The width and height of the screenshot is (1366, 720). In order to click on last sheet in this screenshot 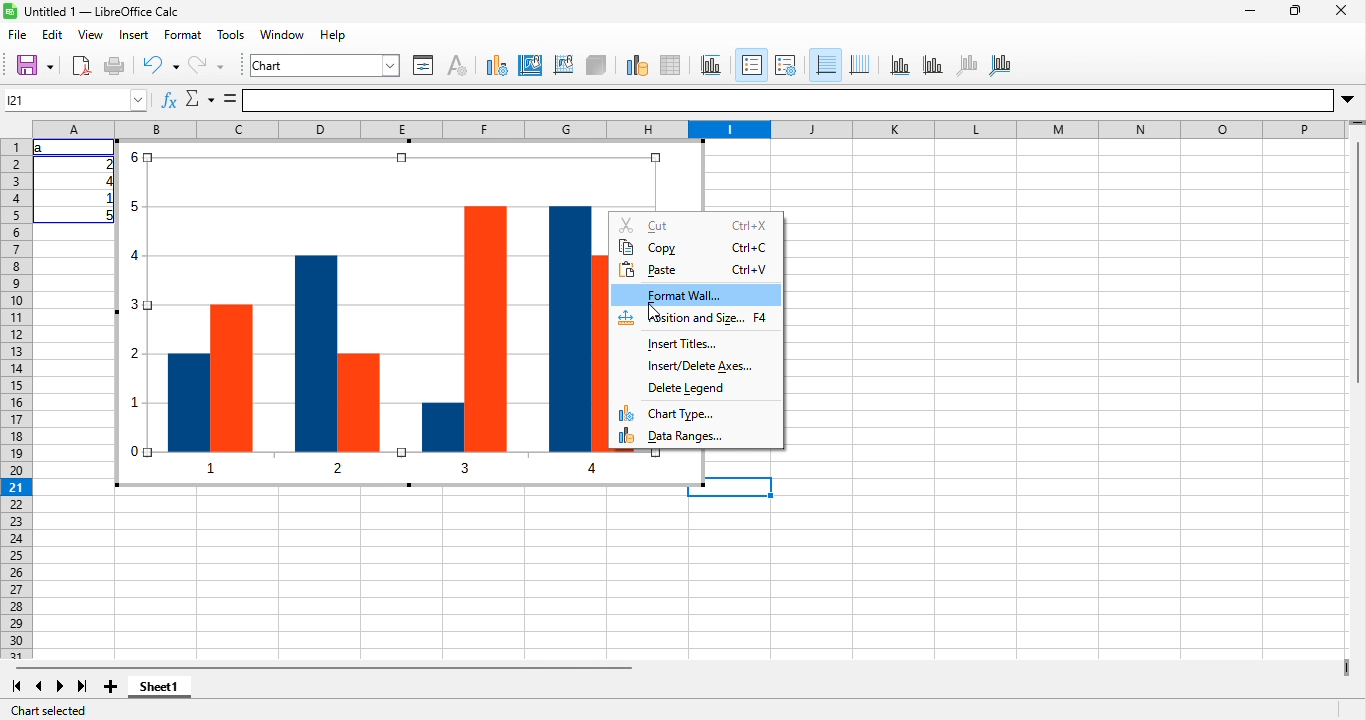, I will do `click(84, 686)`.